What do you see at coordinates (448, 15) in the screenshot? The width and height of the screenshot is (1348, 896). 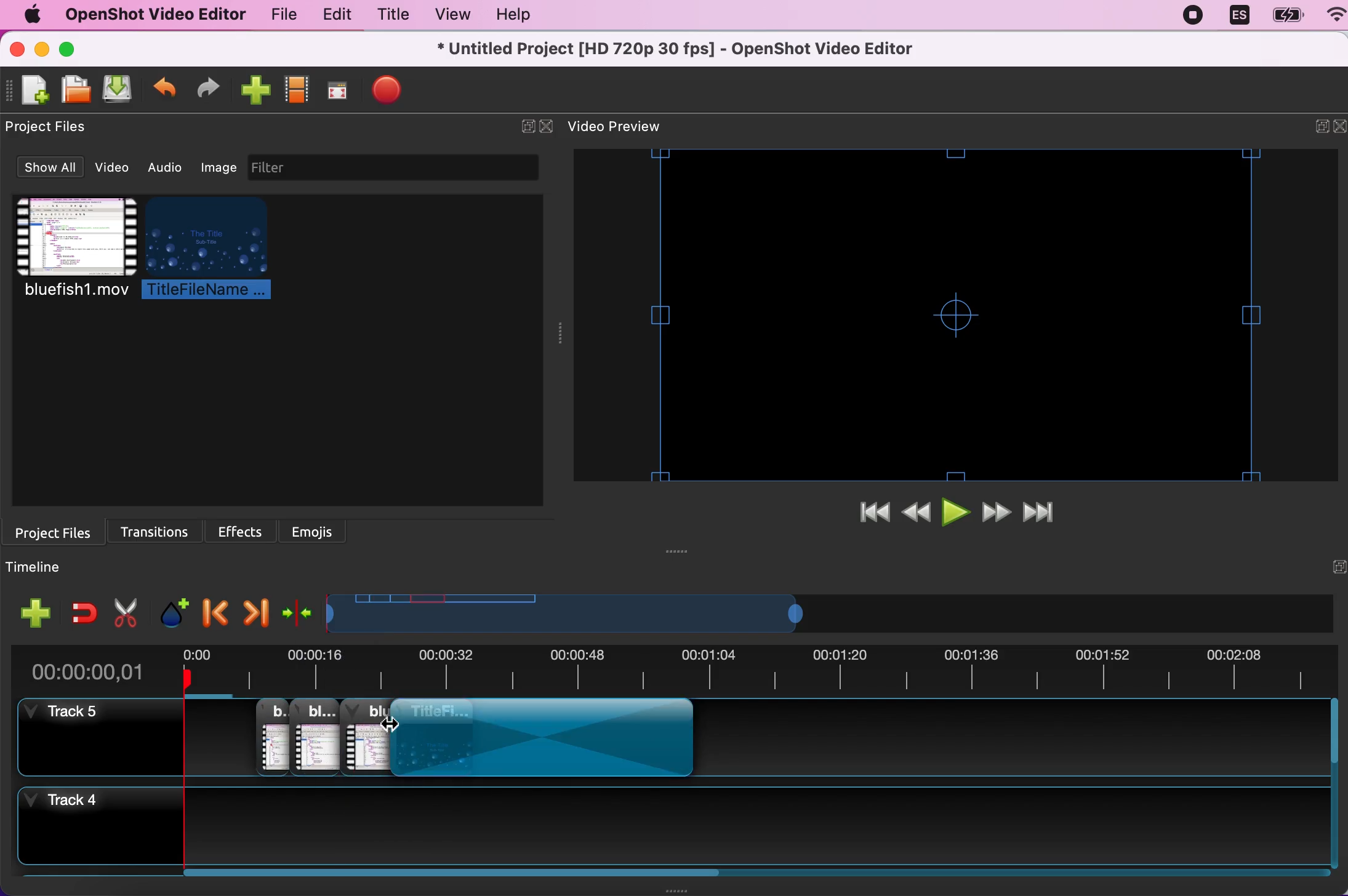 I see `view` at bounding box center [448, 15].